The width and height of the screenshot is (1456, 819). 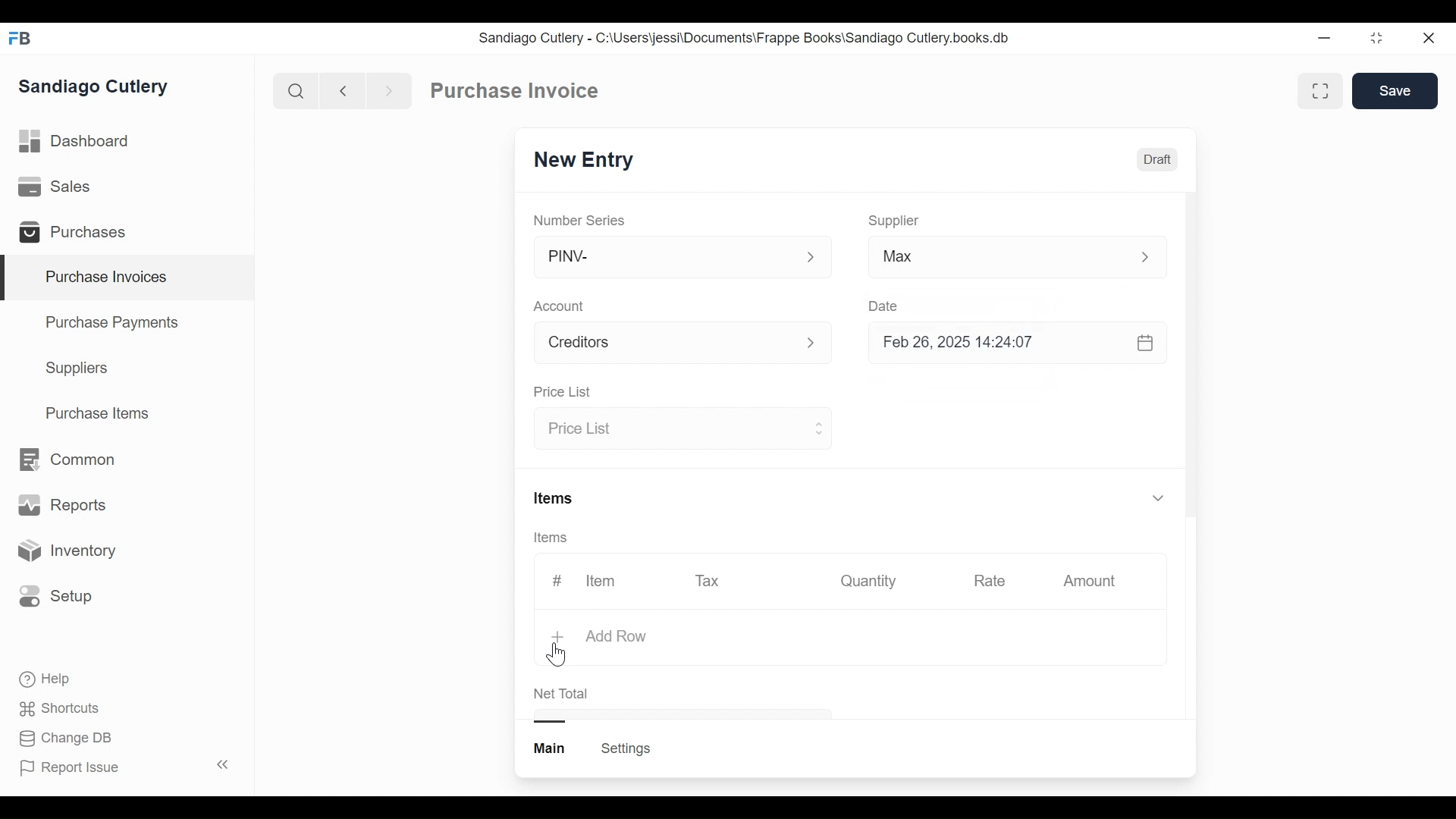 What do you see at coordinates (388, 89) in the screenshot?
I see `Navigate forward` at bounding box center [388, 89].